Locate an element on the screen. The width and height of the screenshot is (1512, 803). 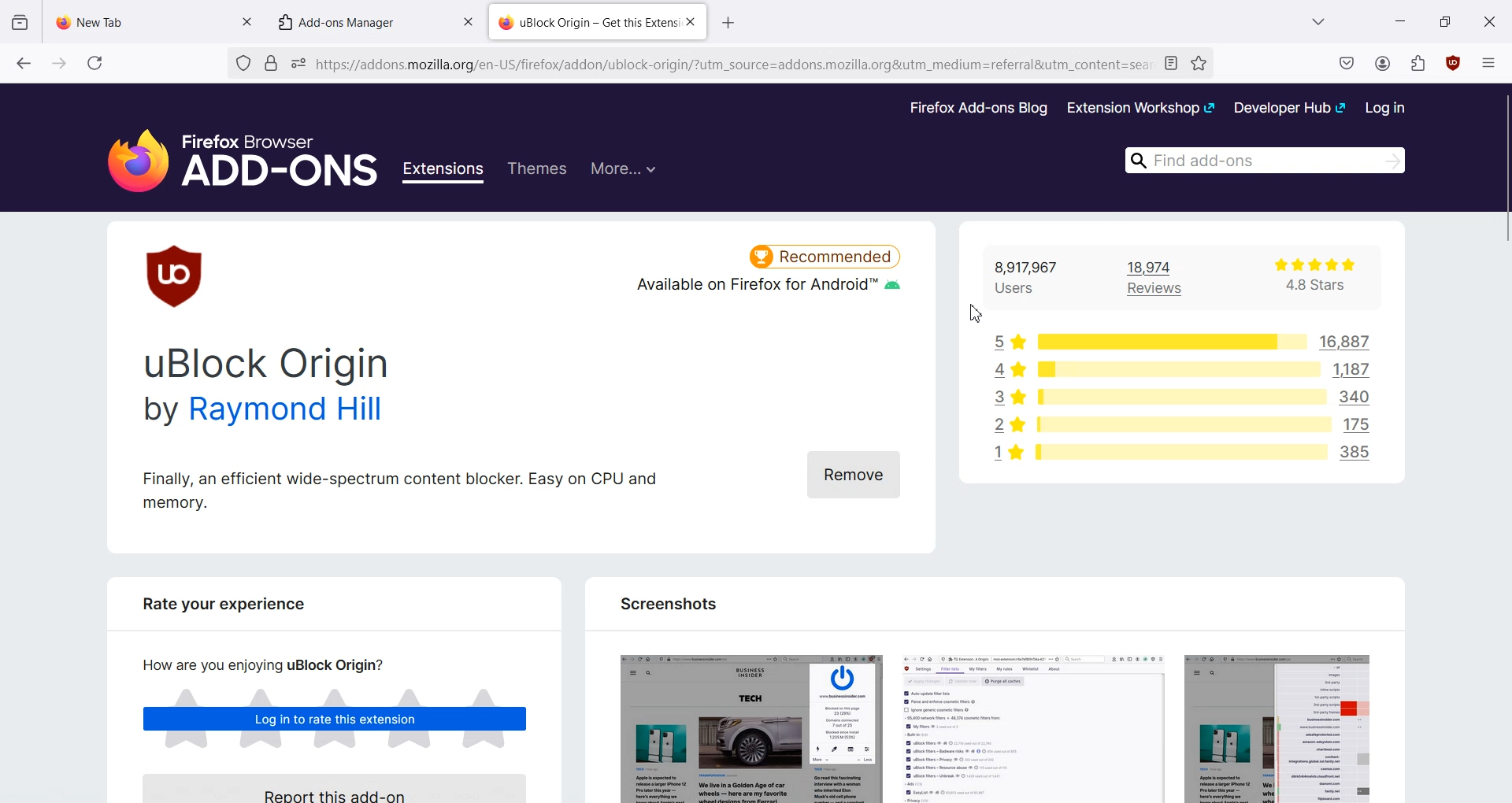
175 users is located at coordinates (1362, 423).